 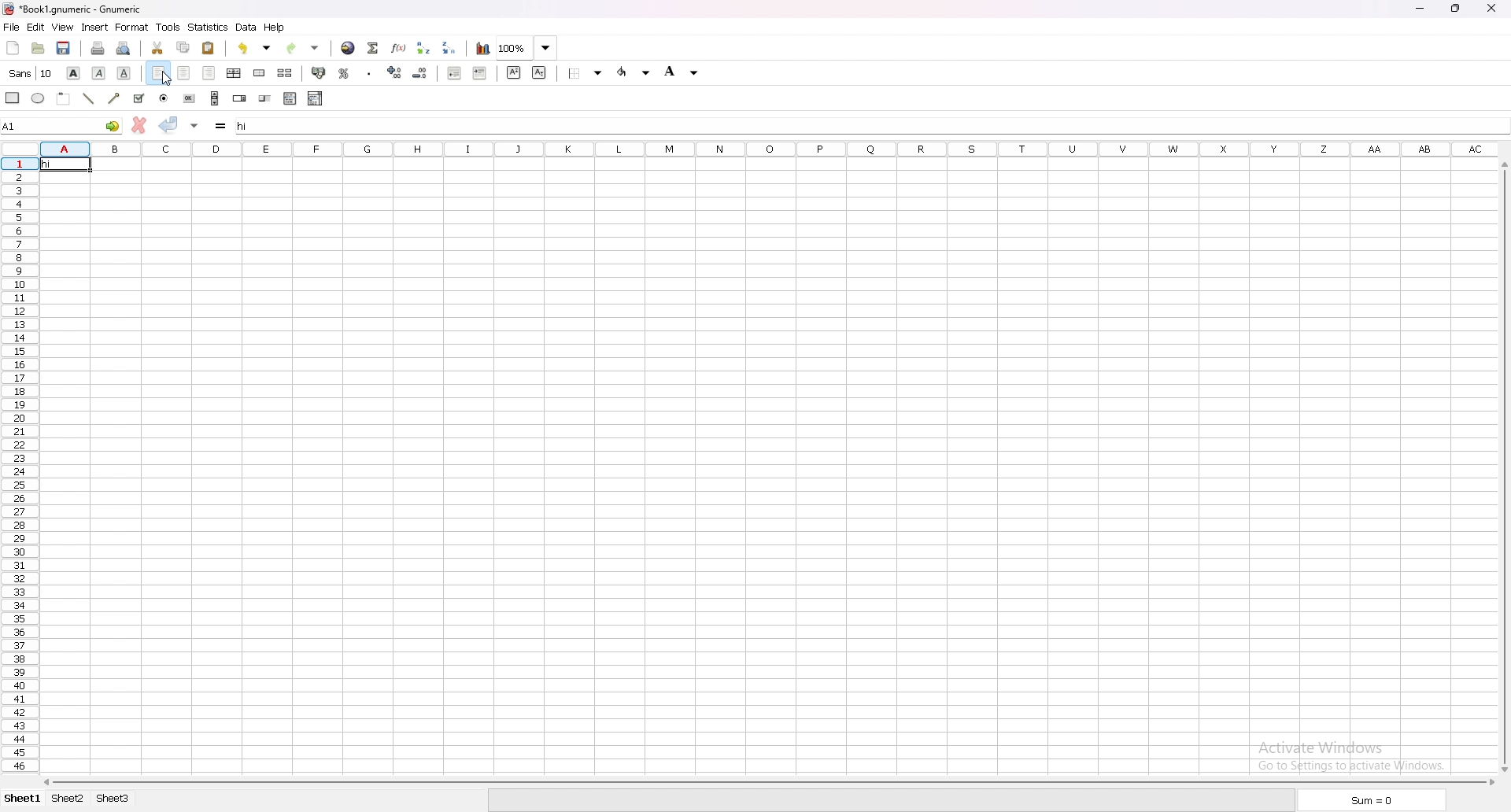 I want to click on view, so click(x=62, y=28).